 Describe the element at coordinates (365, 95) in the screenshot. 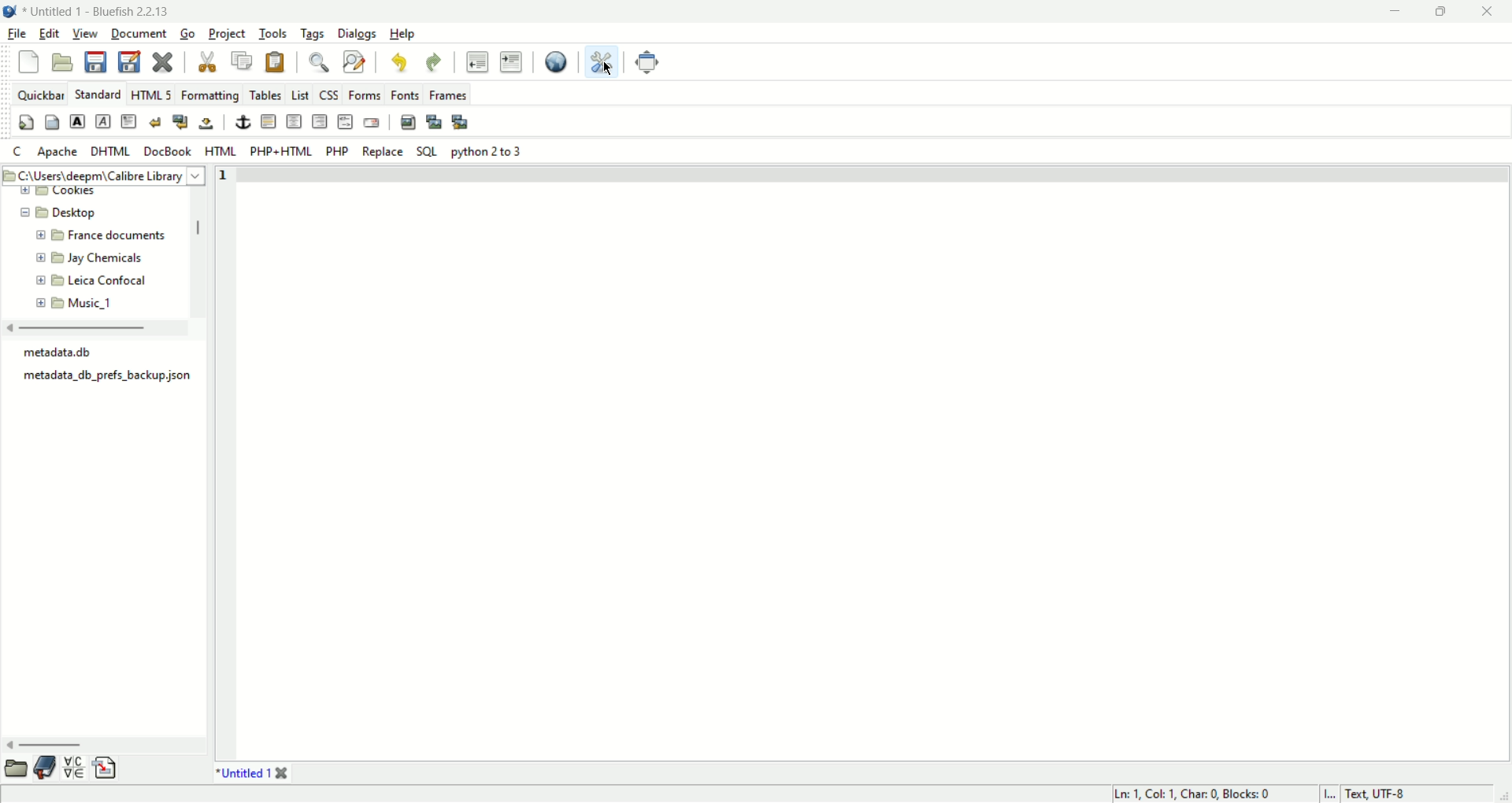

I see `Forms` at that location.